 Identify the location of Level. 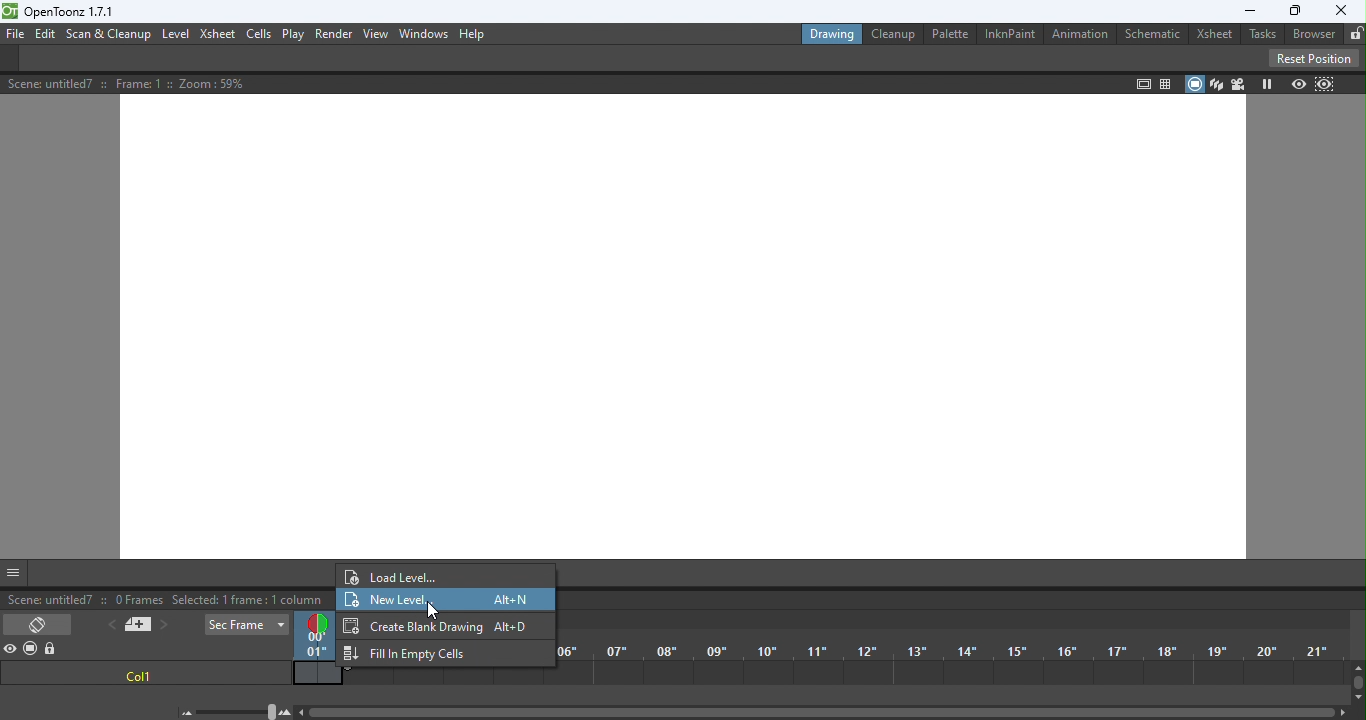
(174, 35).